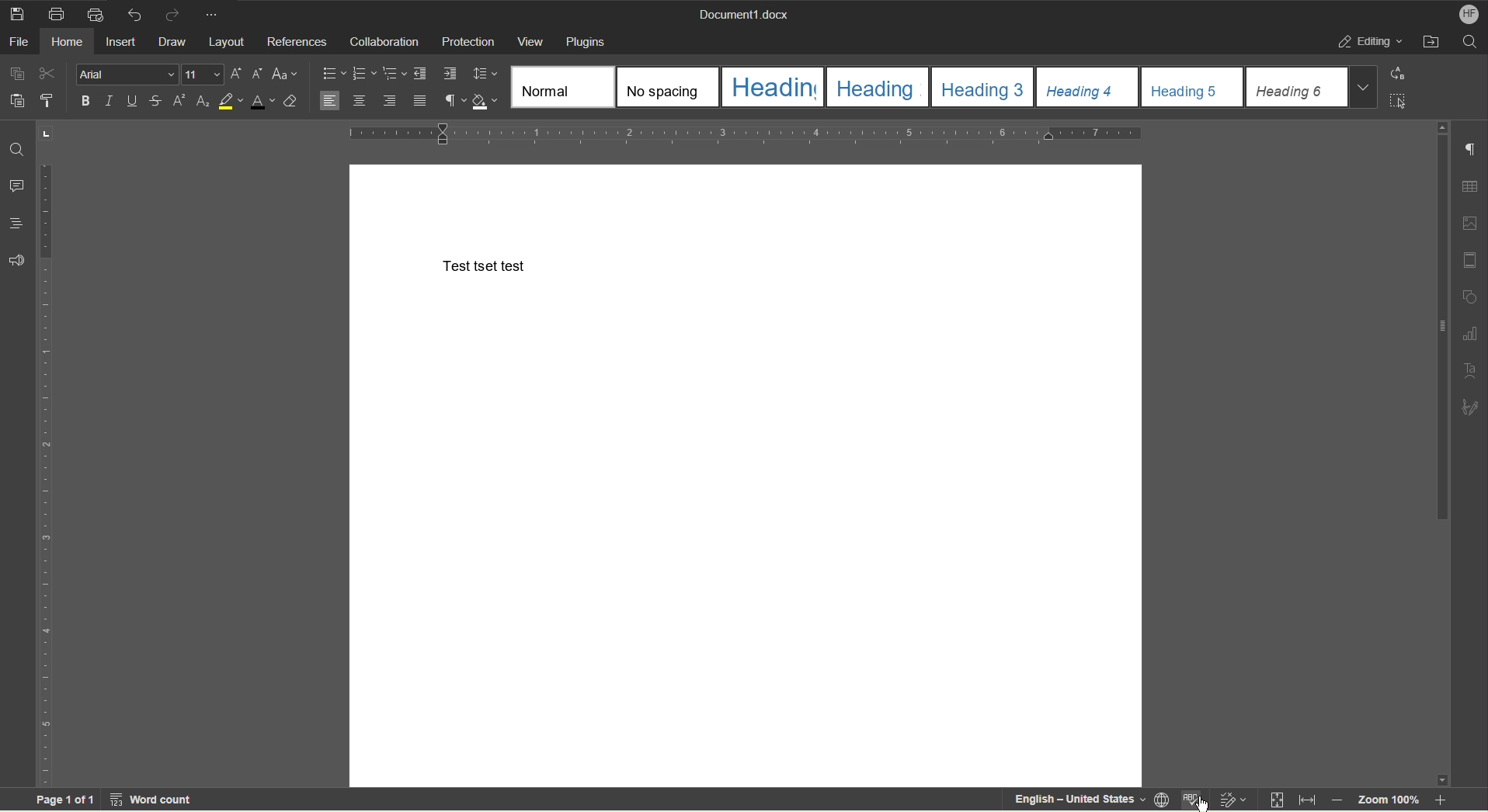  I want to click on Collaboration, so click(382, 40).